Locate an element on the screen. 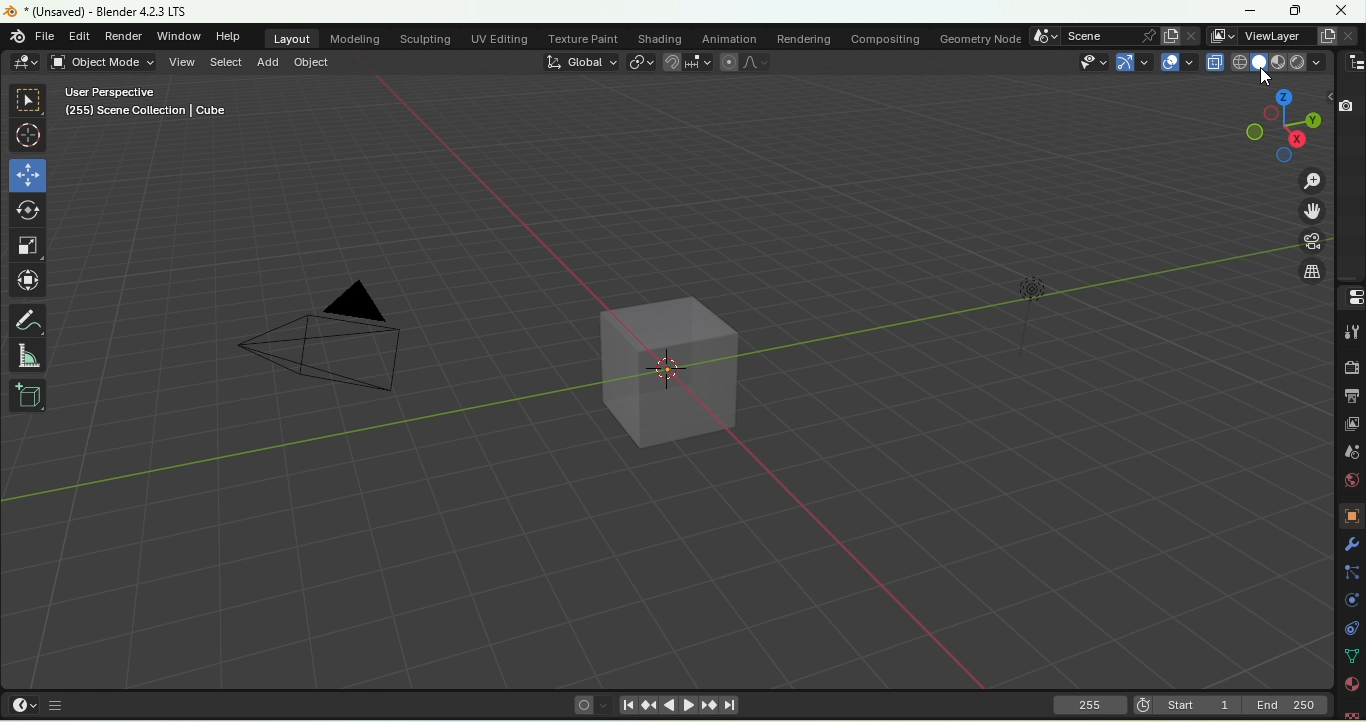 This screenshot has height=722, width=1366. Toggle X-ray is located at coordinates (1214, 62).